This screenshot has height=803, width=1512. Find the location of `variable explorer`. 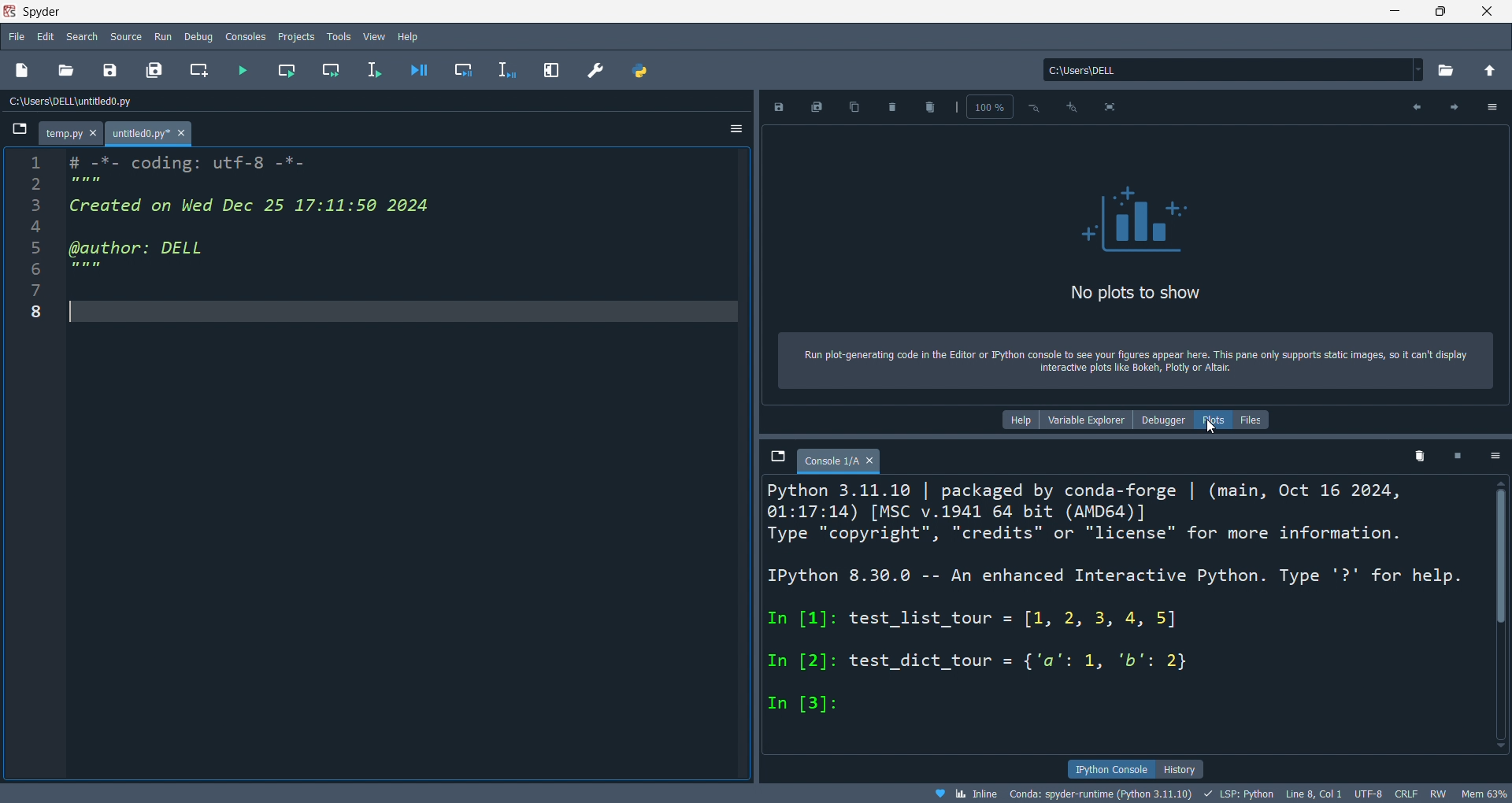

variable explorer is located at coordinates (1088, 420).